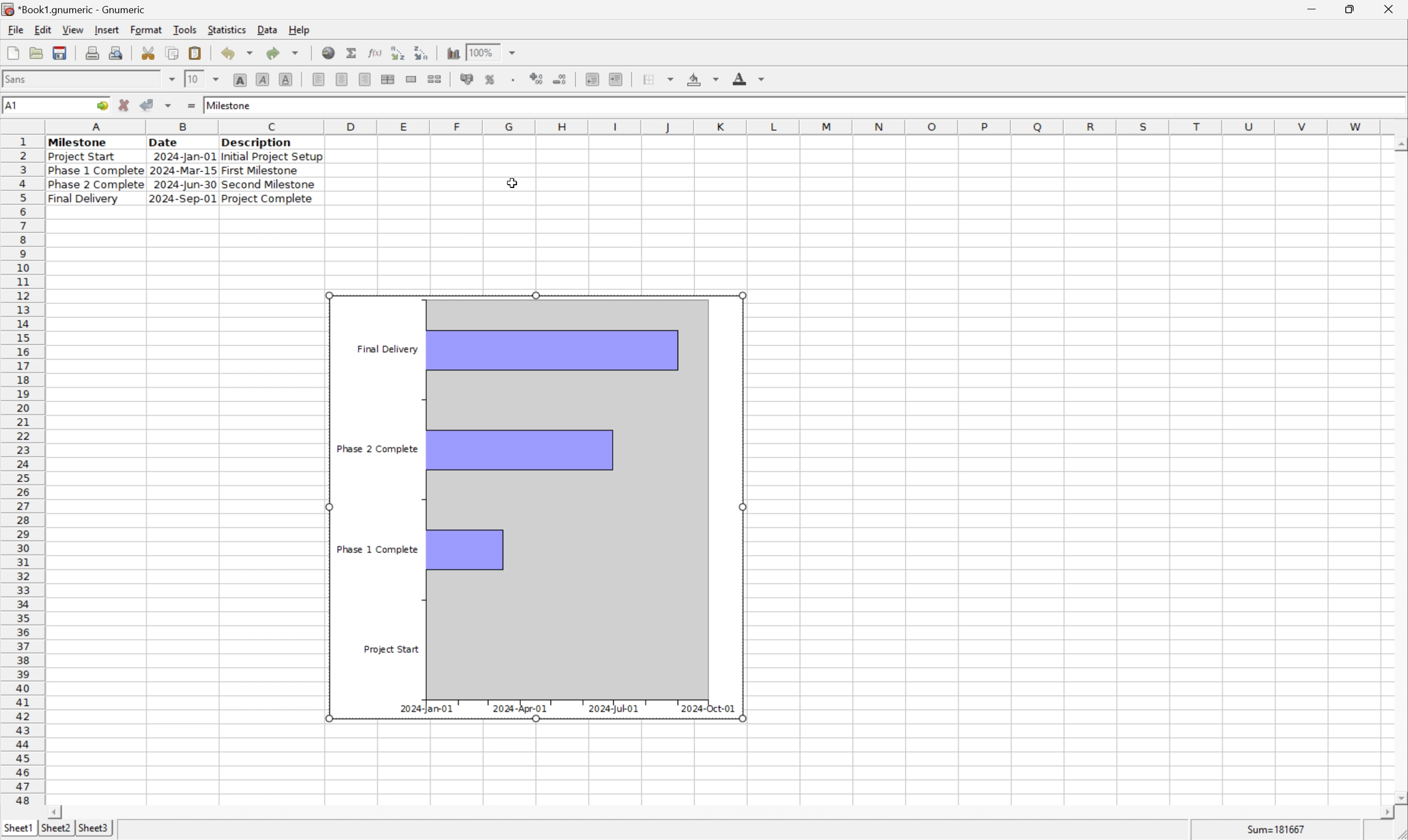 Image resolution: width=1408 pixels, height=840 pixels. What do you see at coordinates (192, 79) in the screenshot?
I see `10` at bounding box center [192, 79].